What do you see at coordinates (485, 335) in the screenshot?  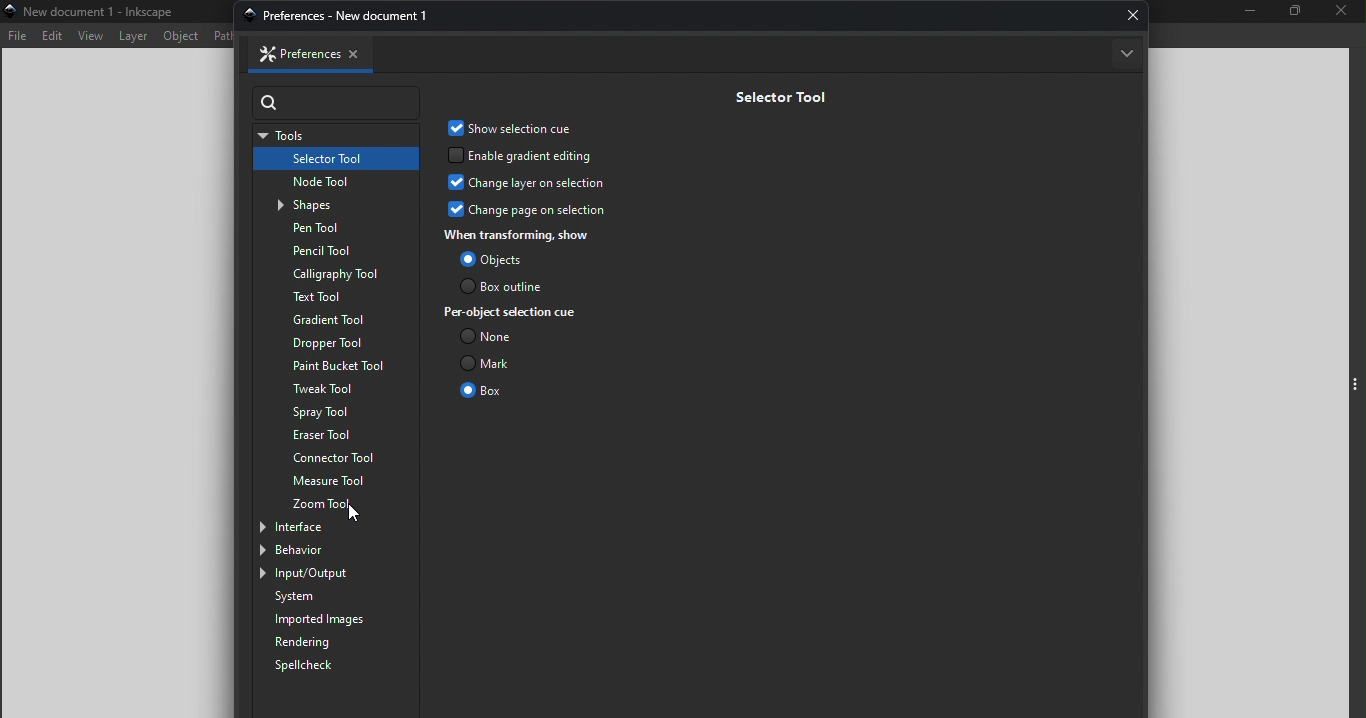 I see `None` at bounding box center [485, 335].